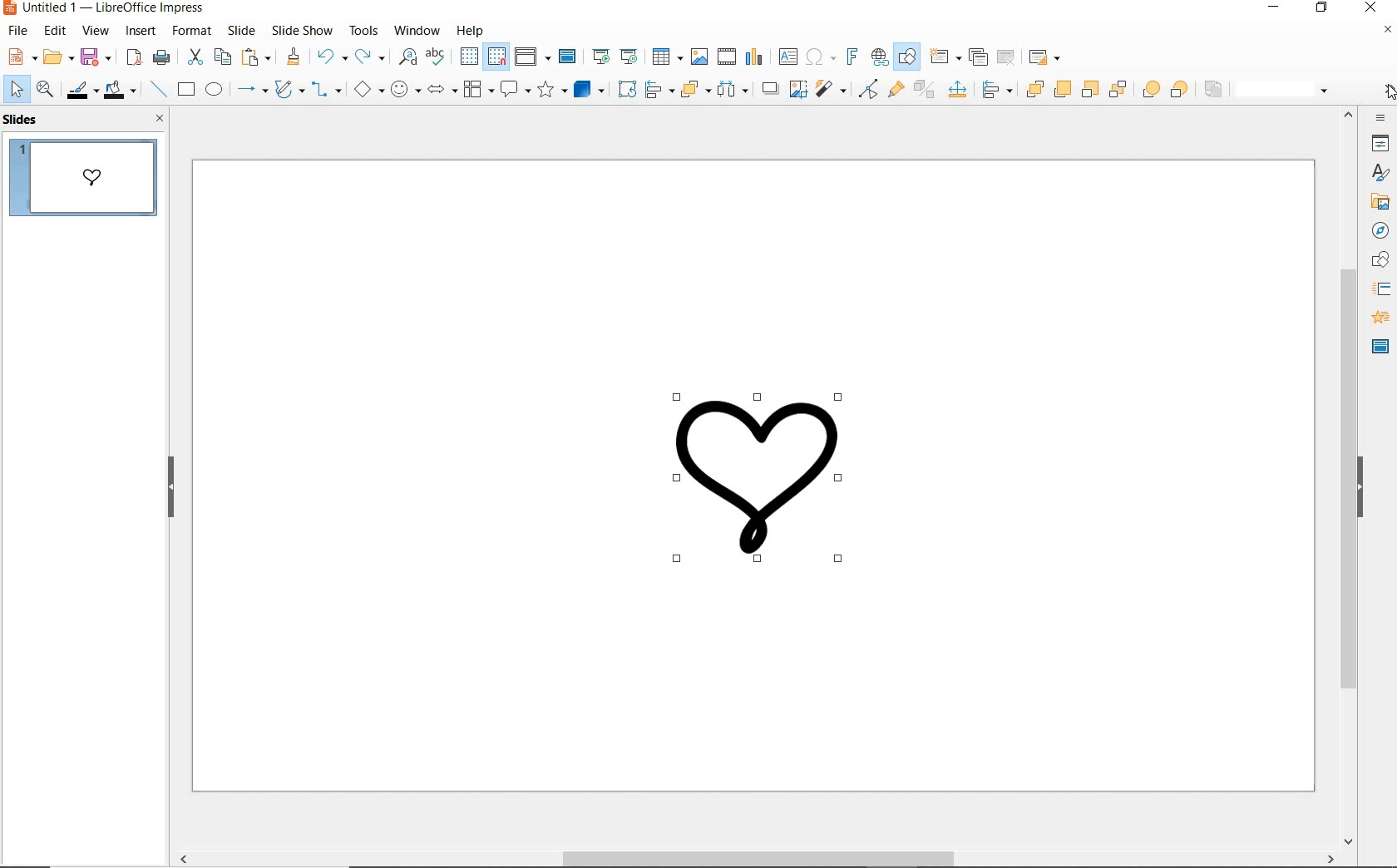 This screenshot has height=868, width=1397. What do you see at coordinates (829, 89) in the screenshot?
I see `filter` at bounding box center [829, 89].